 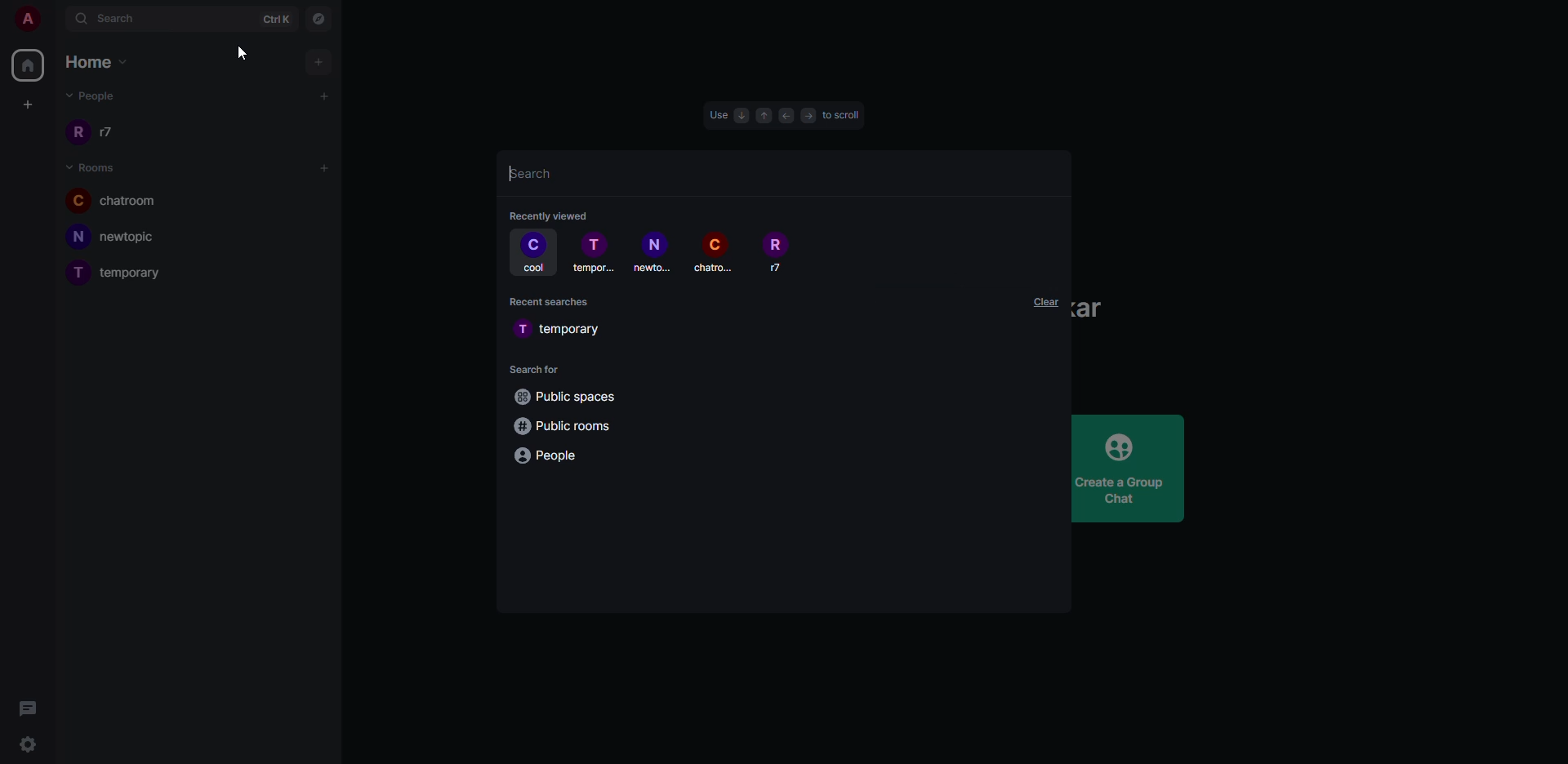 I want to click on home, so click(x=95, y=60).